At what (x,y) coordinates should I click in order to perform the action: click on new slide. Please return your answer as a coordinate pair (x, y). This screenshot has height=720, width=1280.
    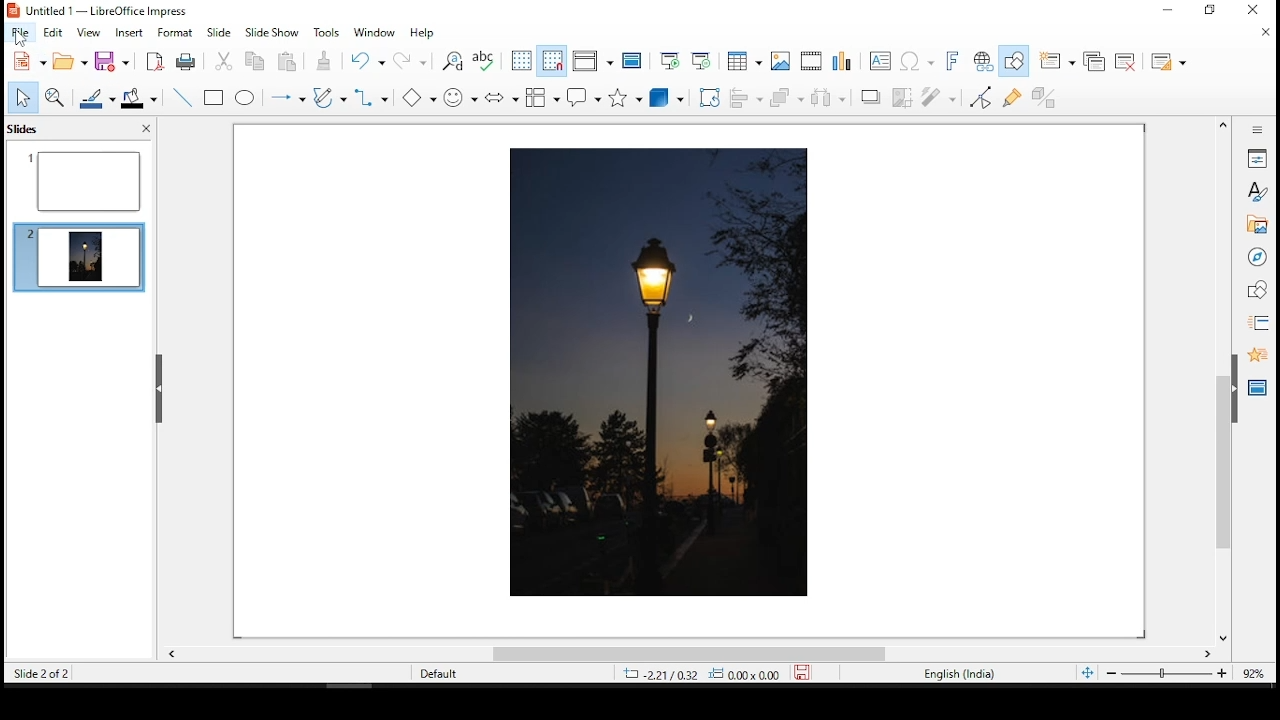
    Looking at the image, I should click on (1059, 60).